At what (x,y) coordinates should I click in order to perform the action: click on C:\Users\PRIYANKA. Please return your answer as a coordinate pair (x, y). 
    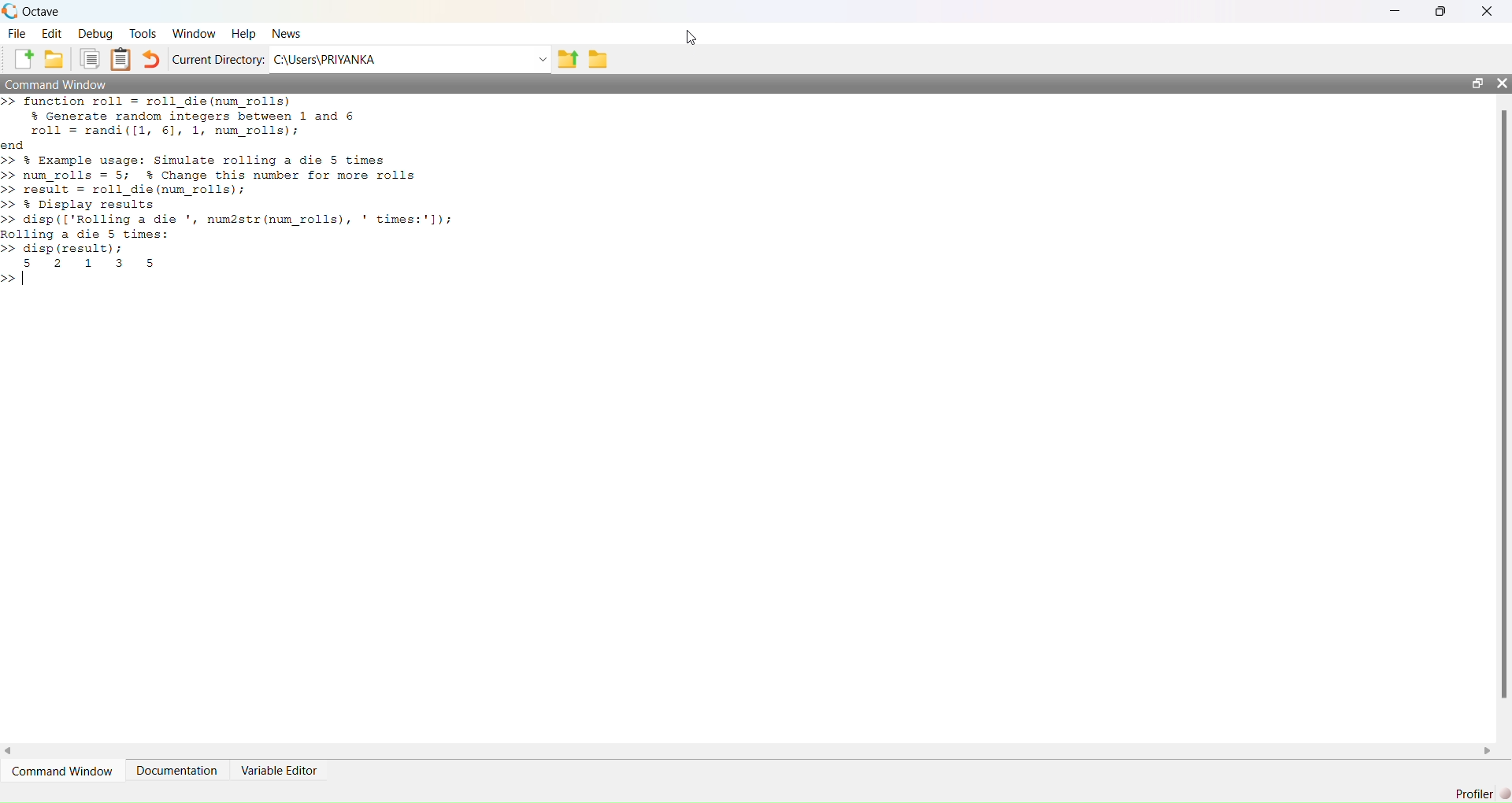
    Looking at the image, I should click on (325, 61).